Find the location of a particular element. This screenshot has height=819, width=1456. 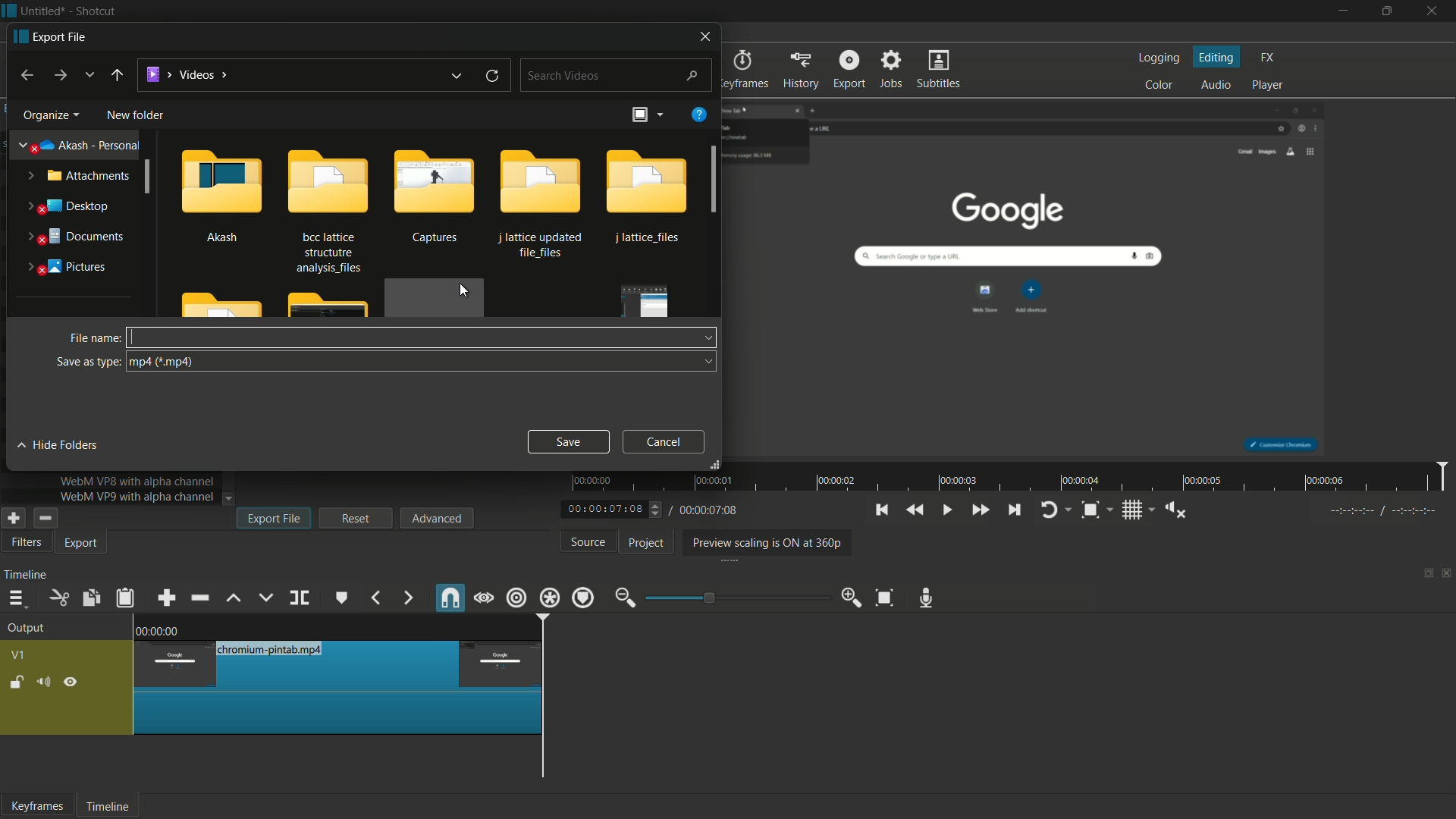

forward is located at coordinates (58, 76).